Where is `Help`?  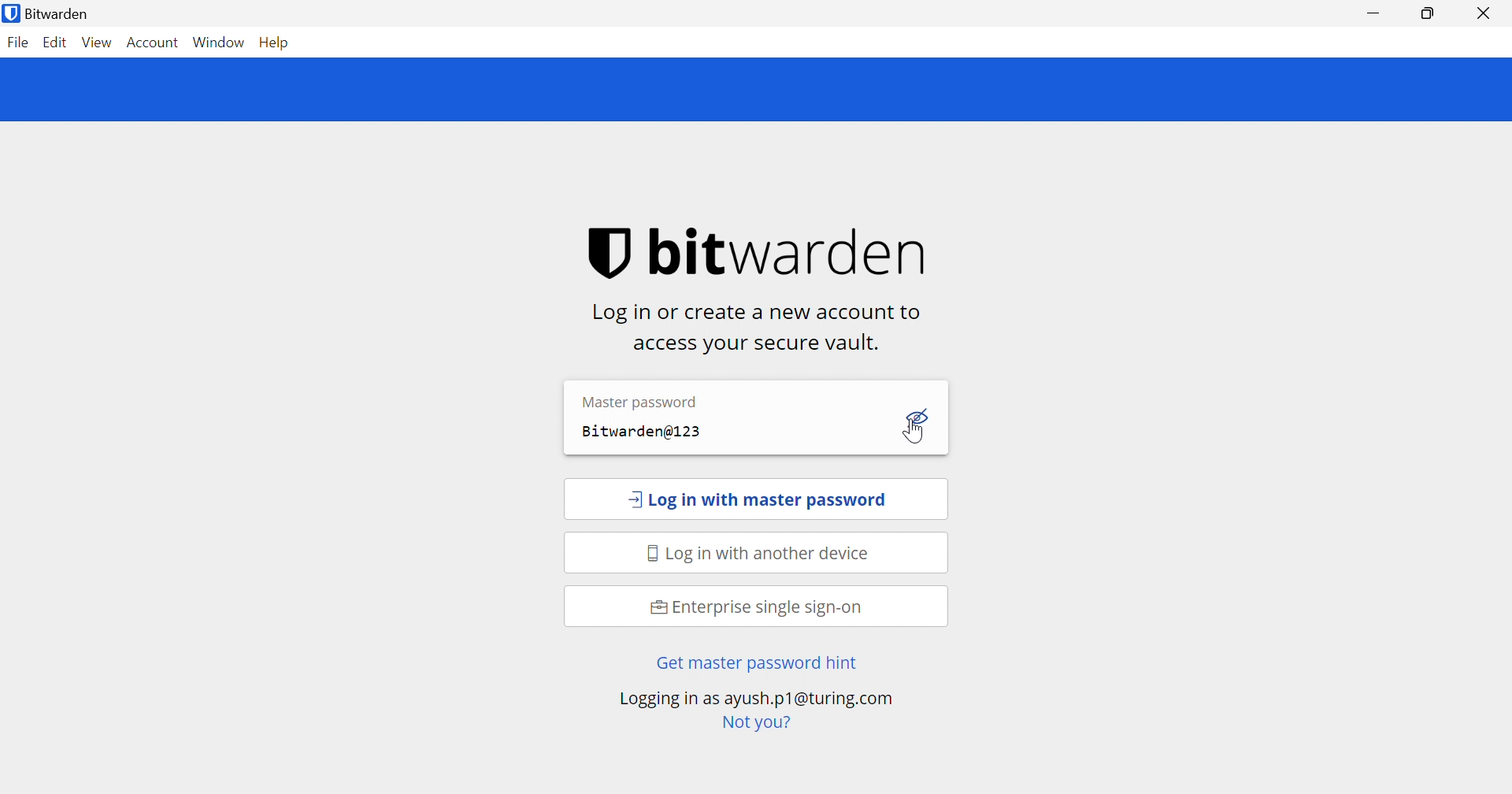 Help is located at coordinates (276, 42).